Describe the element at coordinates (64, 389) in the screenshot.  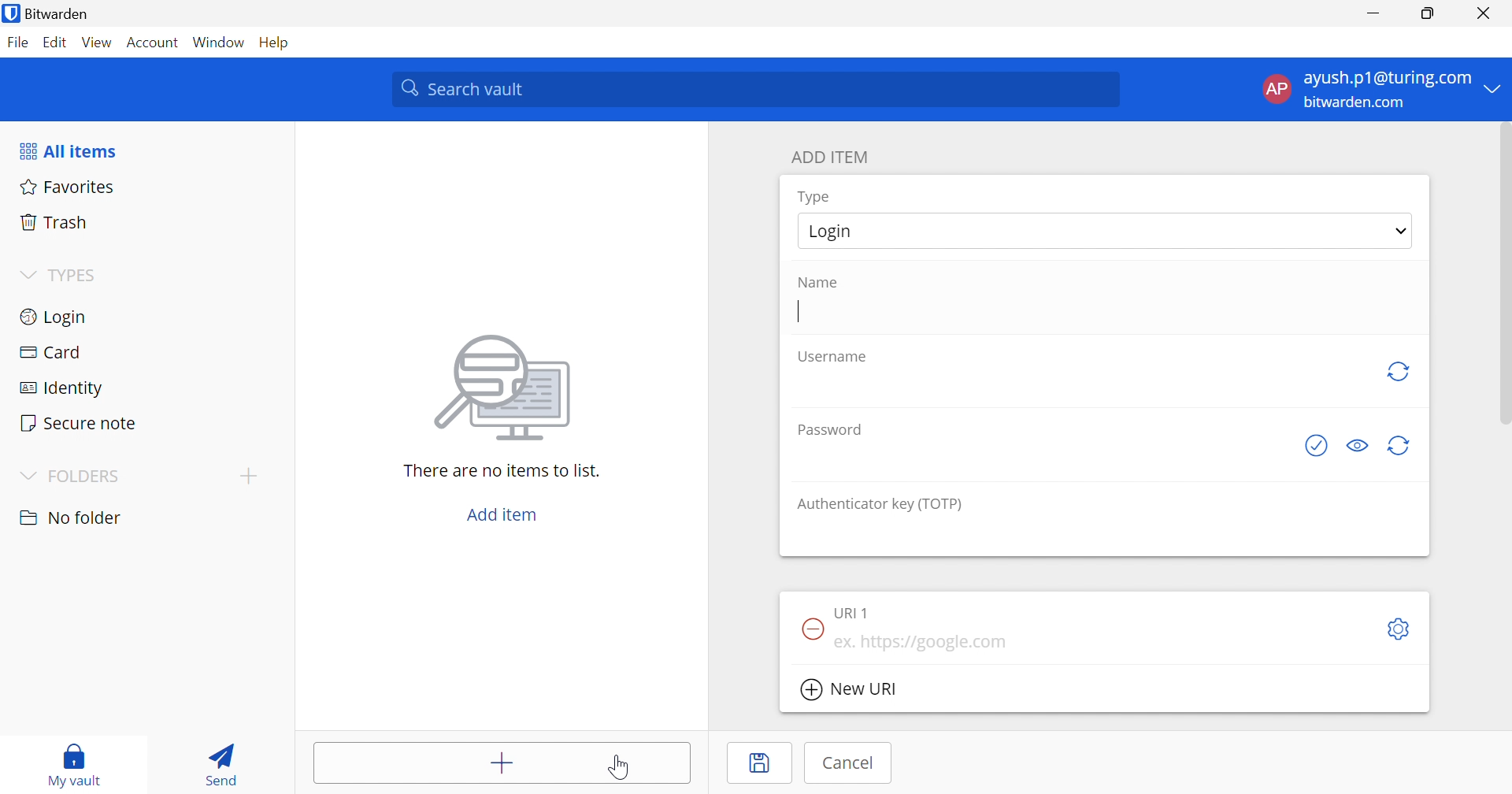
I see `Identity` at that location.